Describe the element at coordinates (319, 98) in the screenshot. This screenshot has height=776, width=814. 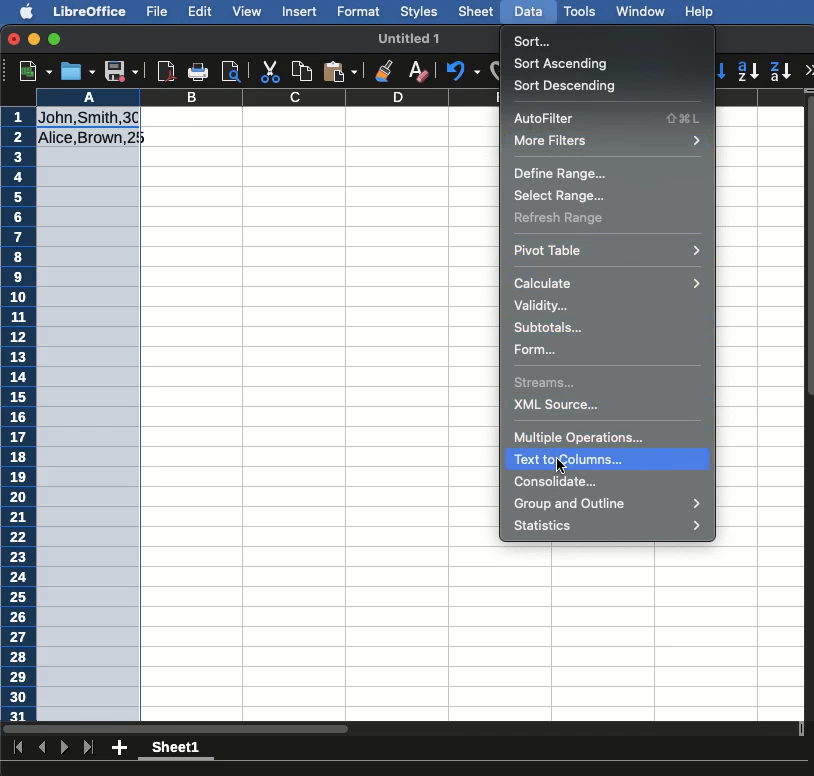
I see `columns` at that location.